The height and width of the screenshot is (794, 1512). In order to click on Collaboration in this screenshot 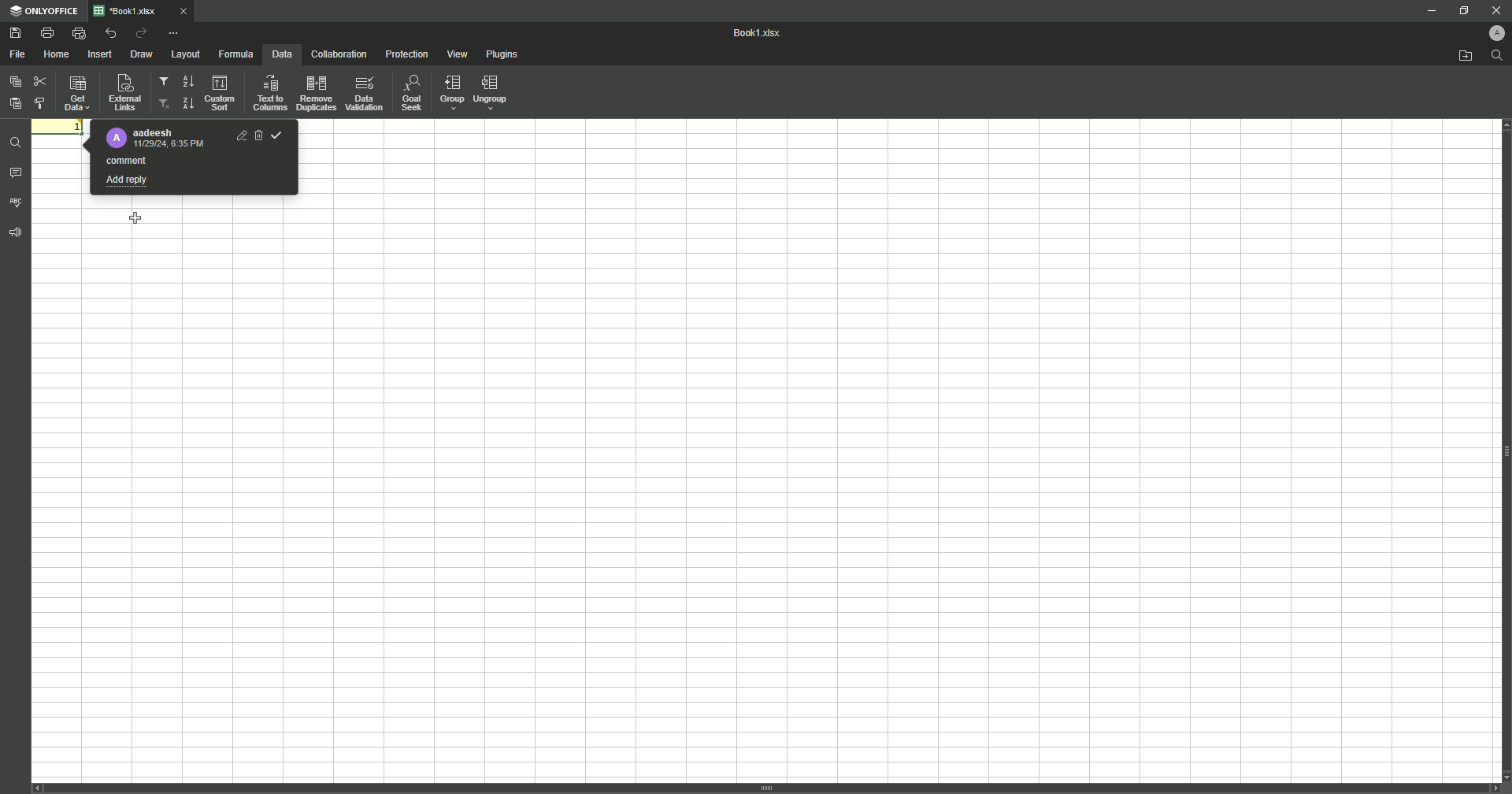, I will do `click(338, 55)`.